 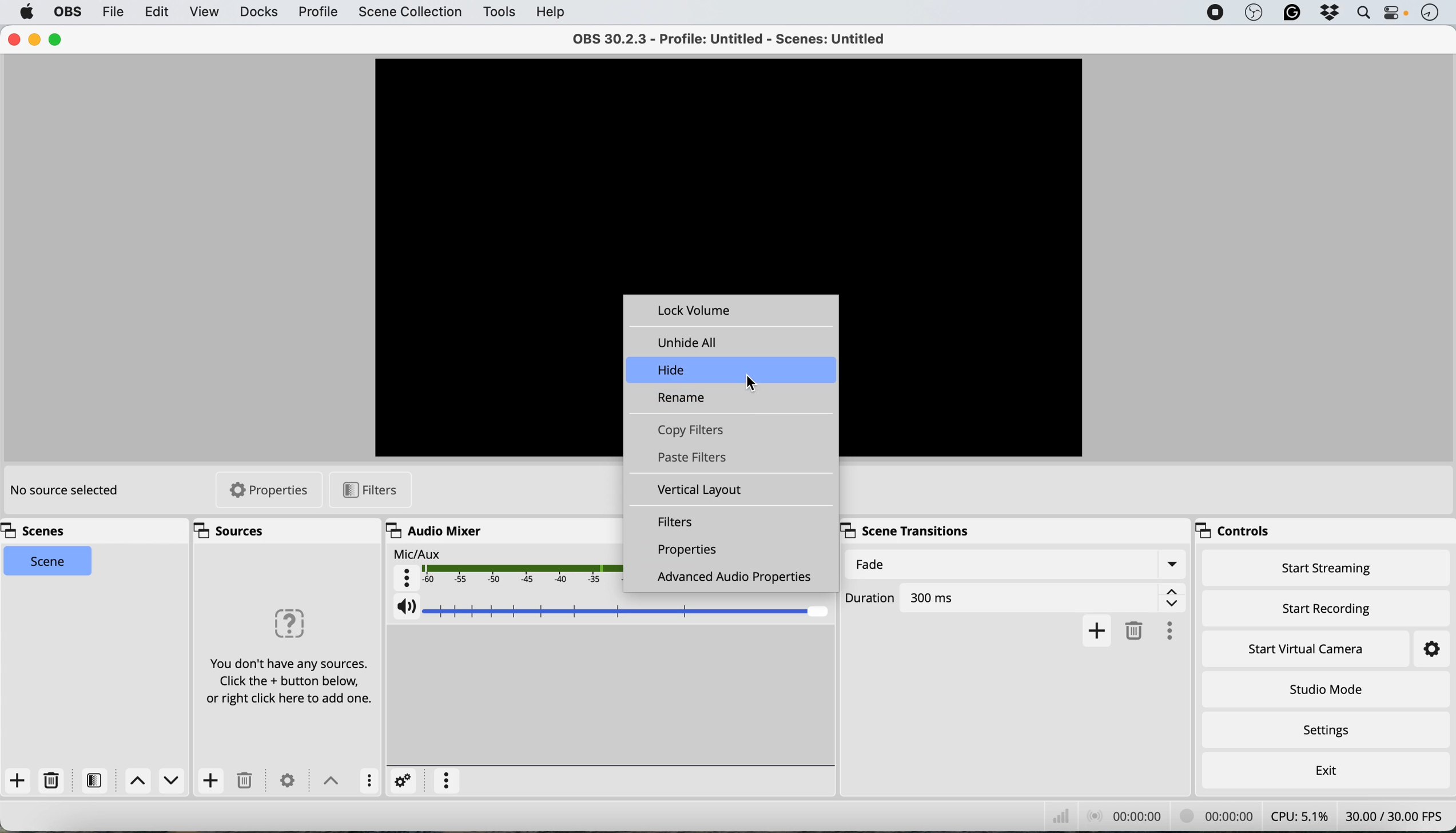 I want to click on advanced audio properties, so click(x=731, y=579).